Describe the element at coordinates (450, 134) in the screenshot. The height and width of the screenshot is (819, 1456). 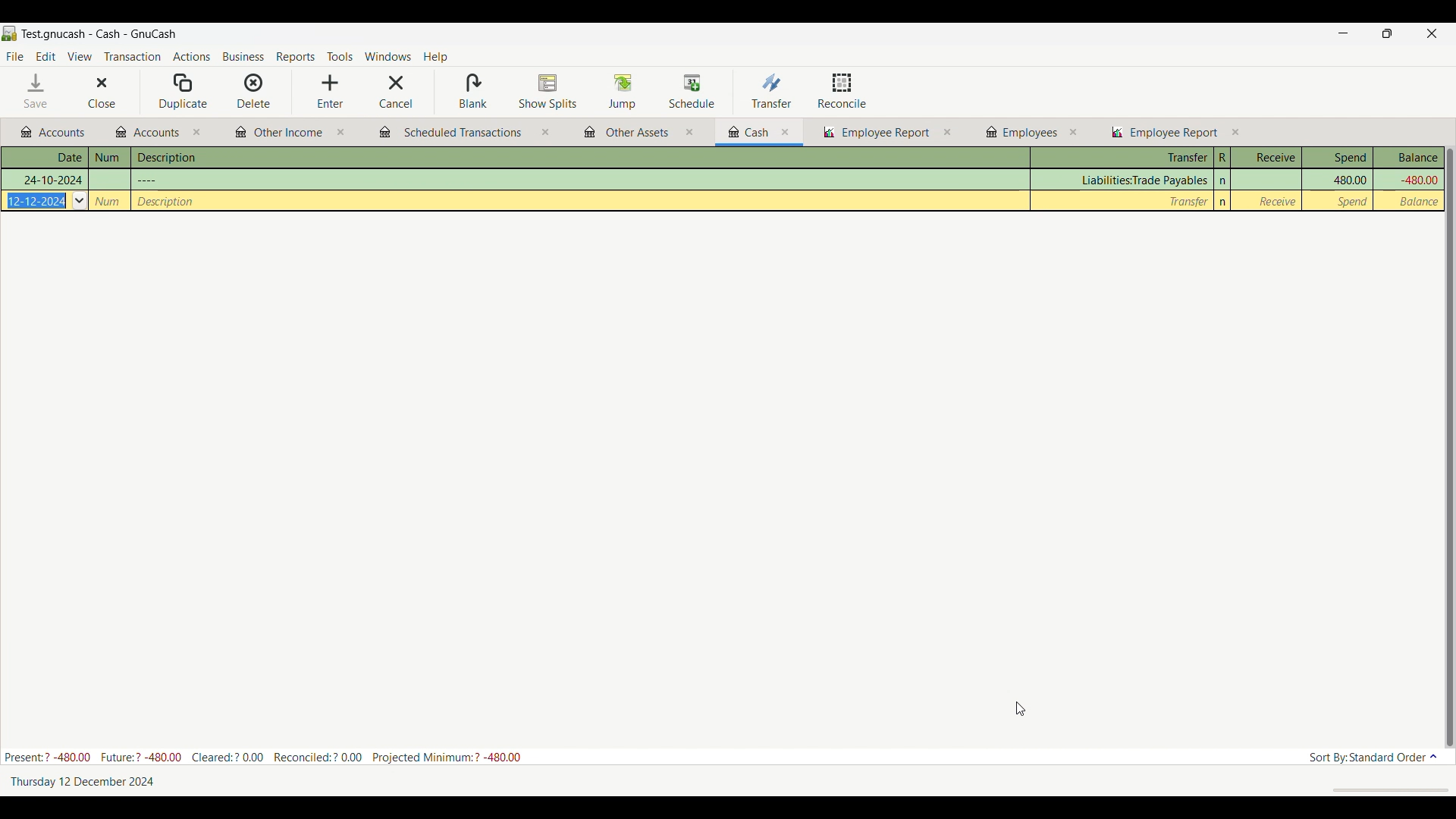
I see `Other budgets and reports` at that location.